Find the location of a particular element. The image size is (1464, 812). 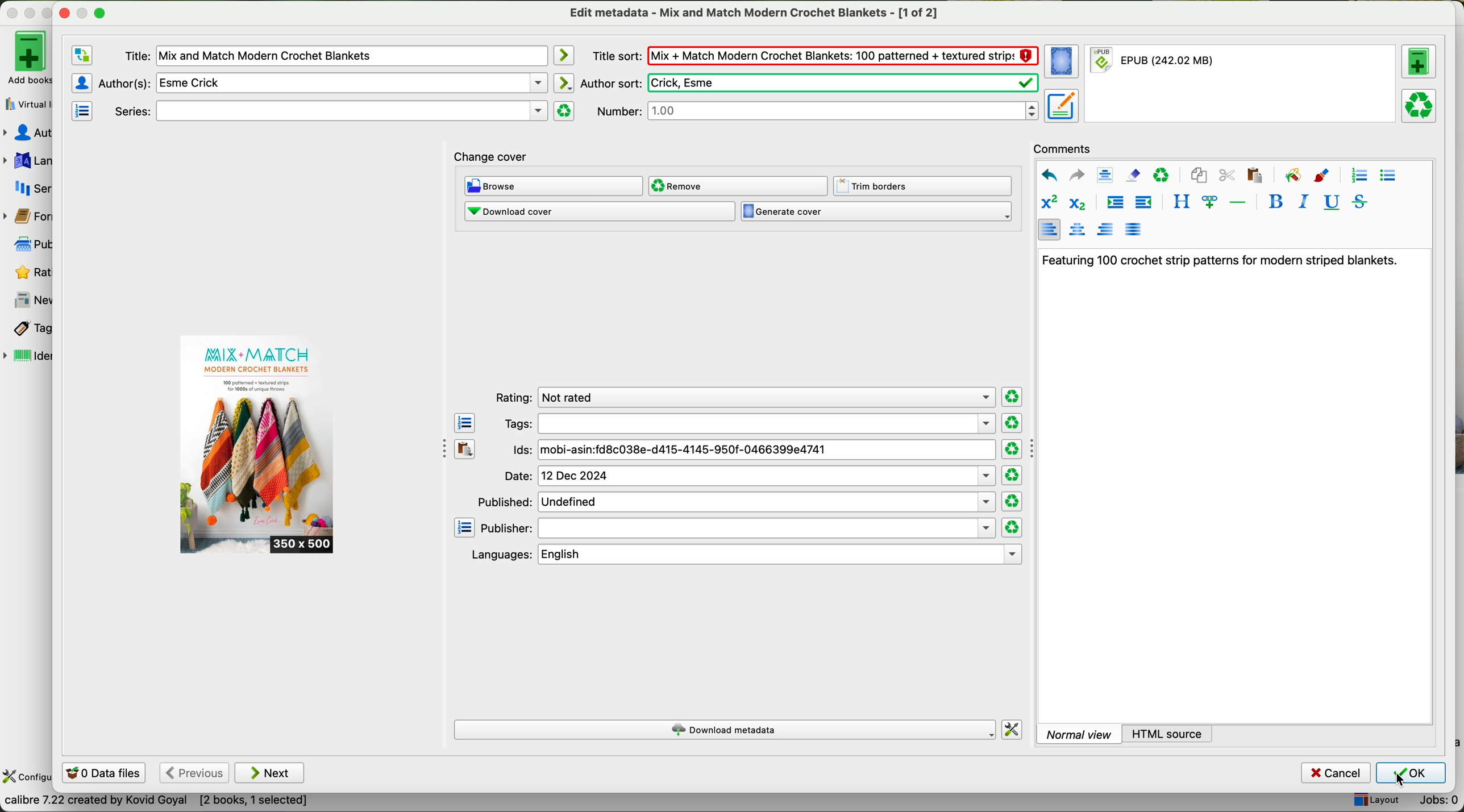

publisher is located at coordinates (738, 528).